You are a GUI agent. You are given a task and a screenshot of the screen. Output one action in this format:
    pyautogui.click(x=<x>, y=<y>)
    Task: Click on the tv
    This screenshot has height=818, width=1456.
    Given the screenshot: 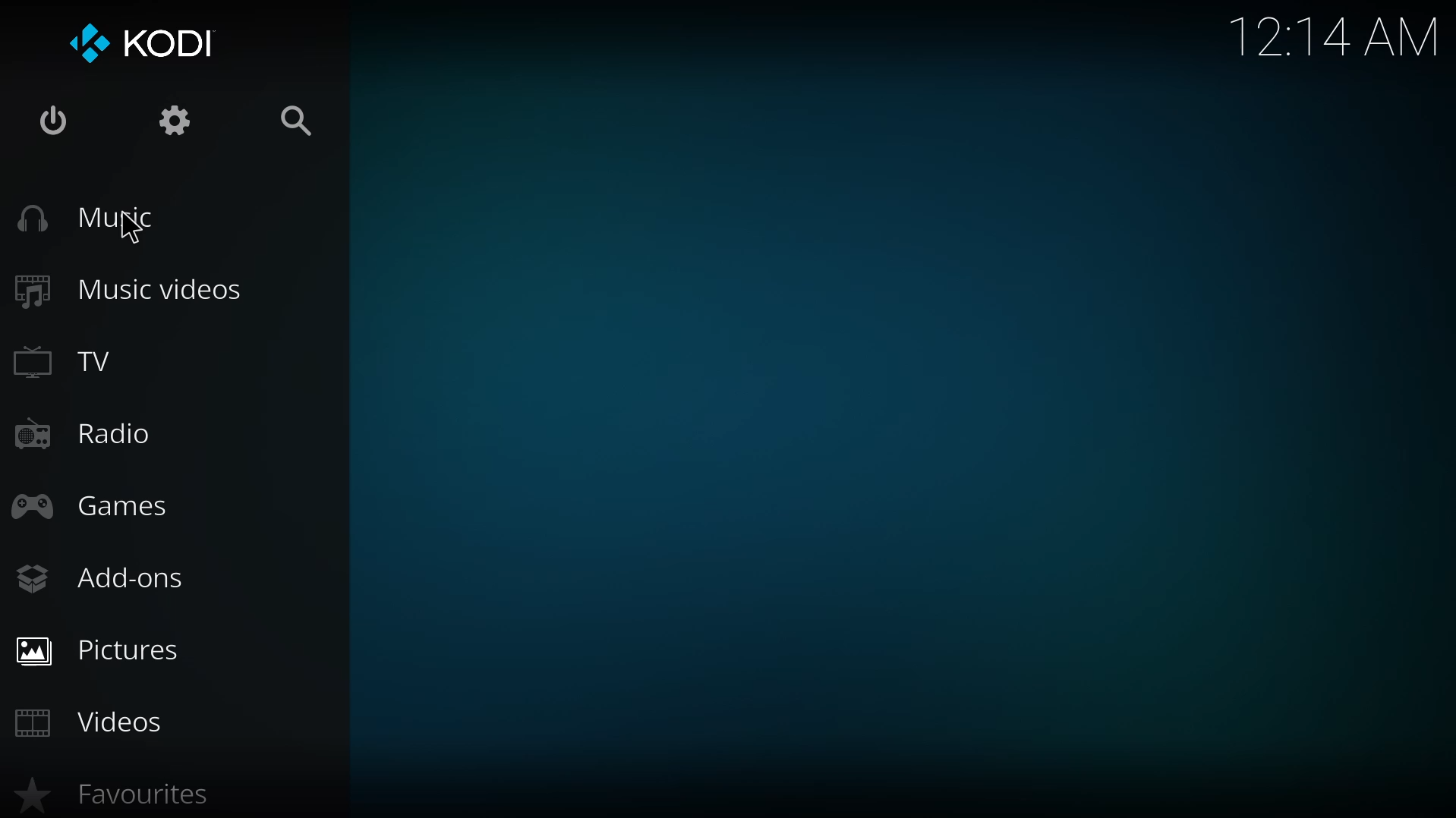 What is the action you would take?
    pyautogui.click(x=75, y=360)
    